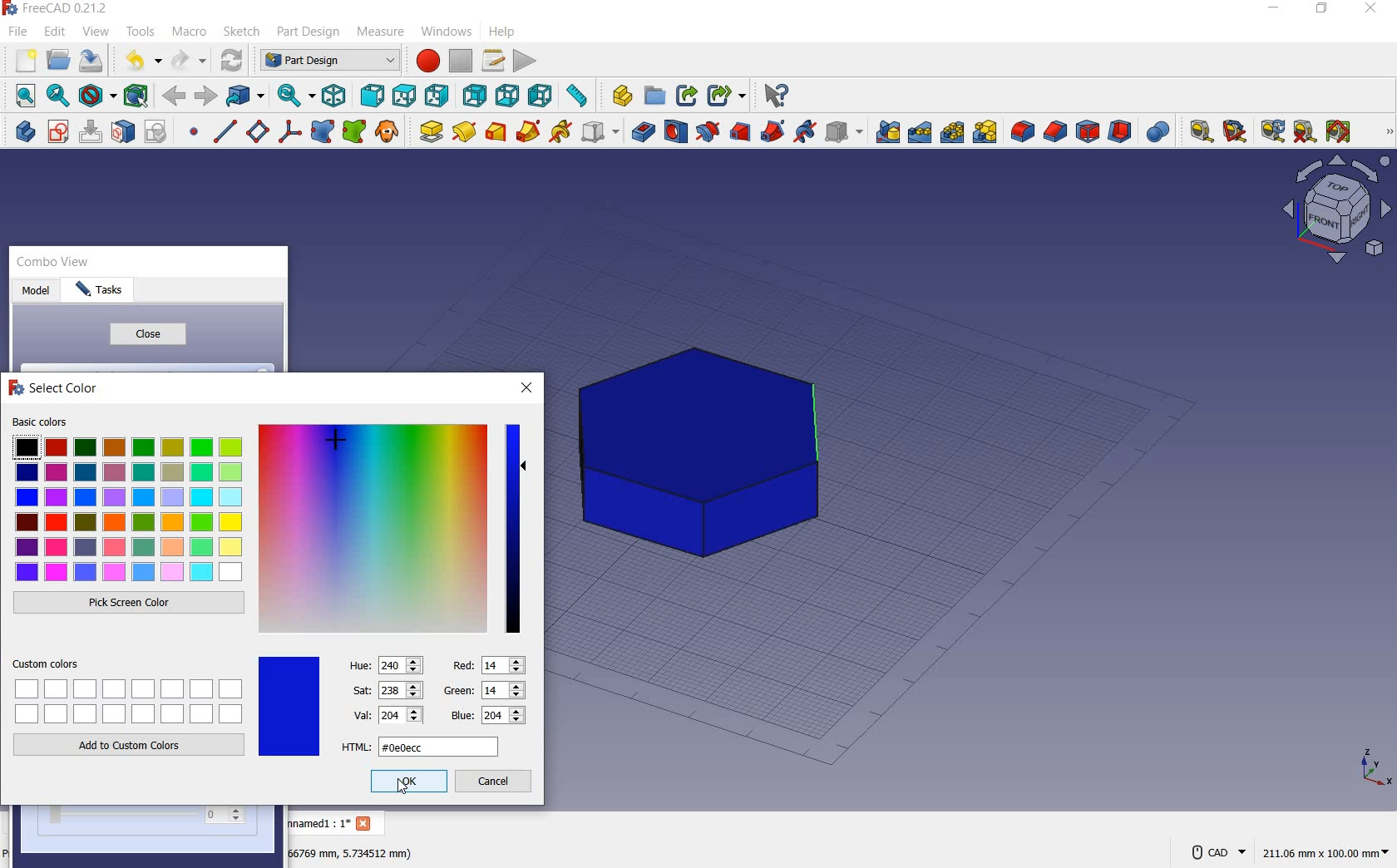  Describe the element at coordinates (247, 96) in the screenshot. I see `go to linked object` at that location.